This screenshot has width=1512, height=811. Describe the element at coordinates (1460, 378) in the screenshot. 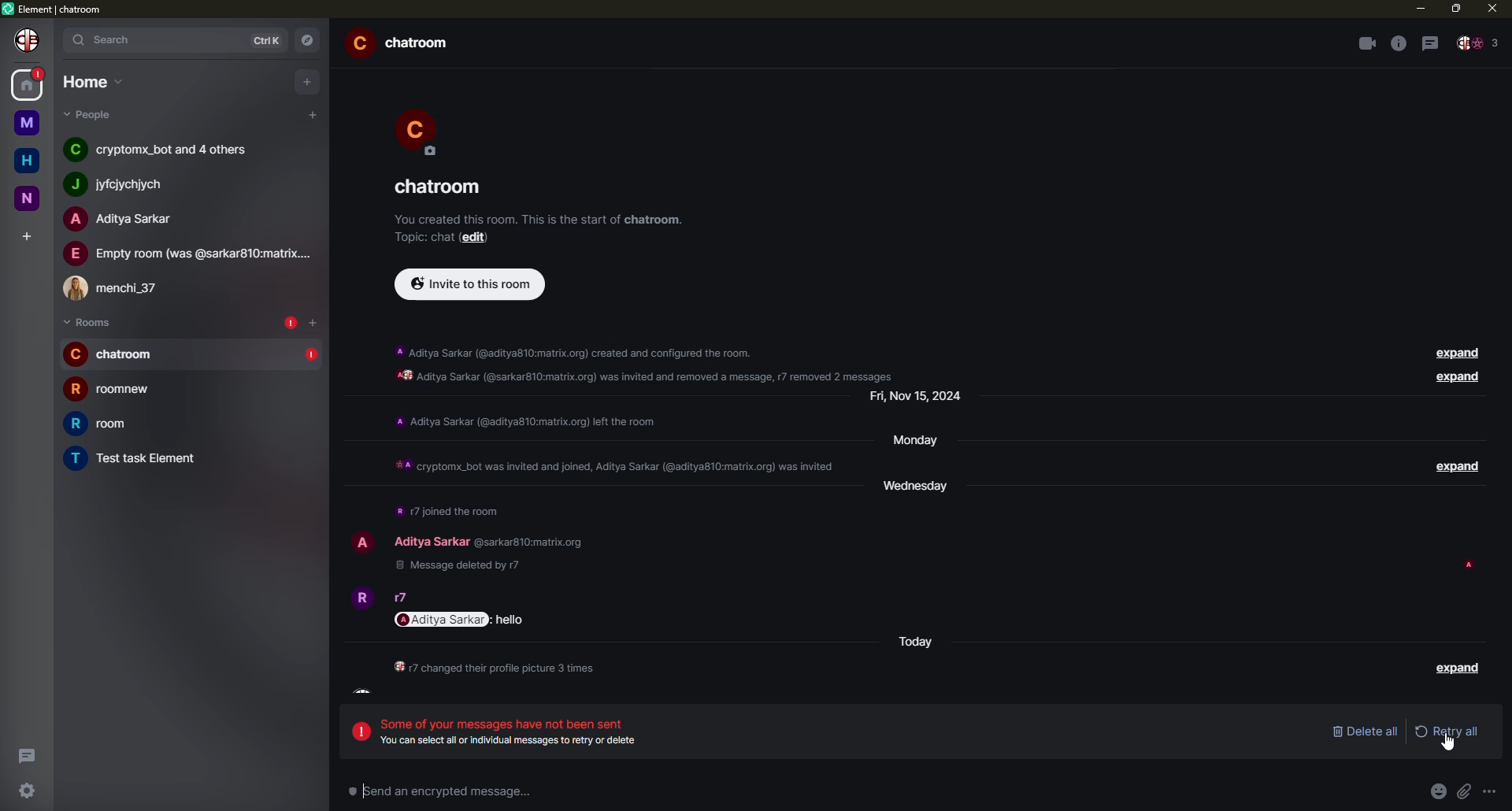

I see `expand` at that location.